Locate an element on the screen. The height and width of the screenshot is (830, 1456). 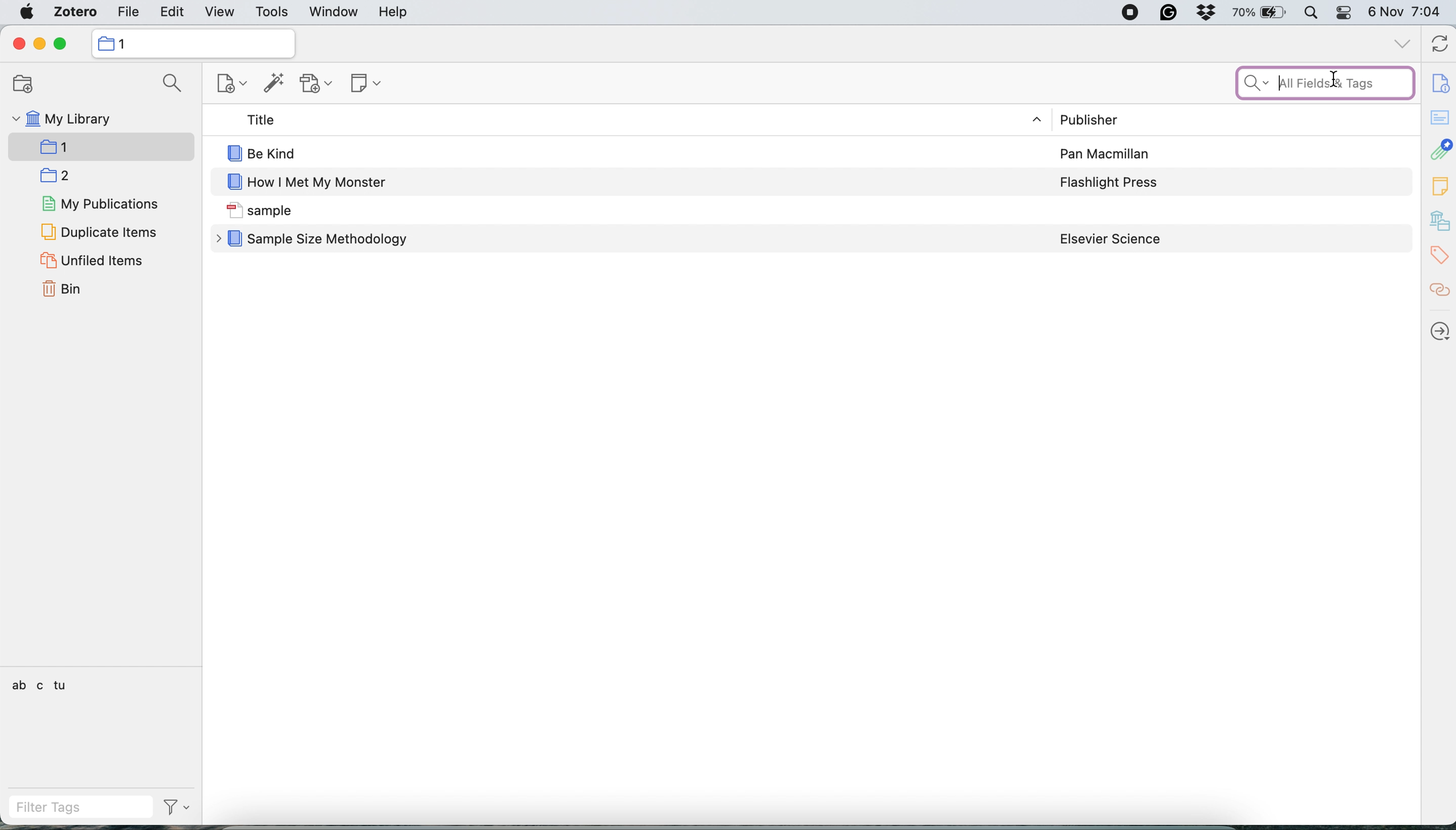
icon is located at coordinates (233, 210).